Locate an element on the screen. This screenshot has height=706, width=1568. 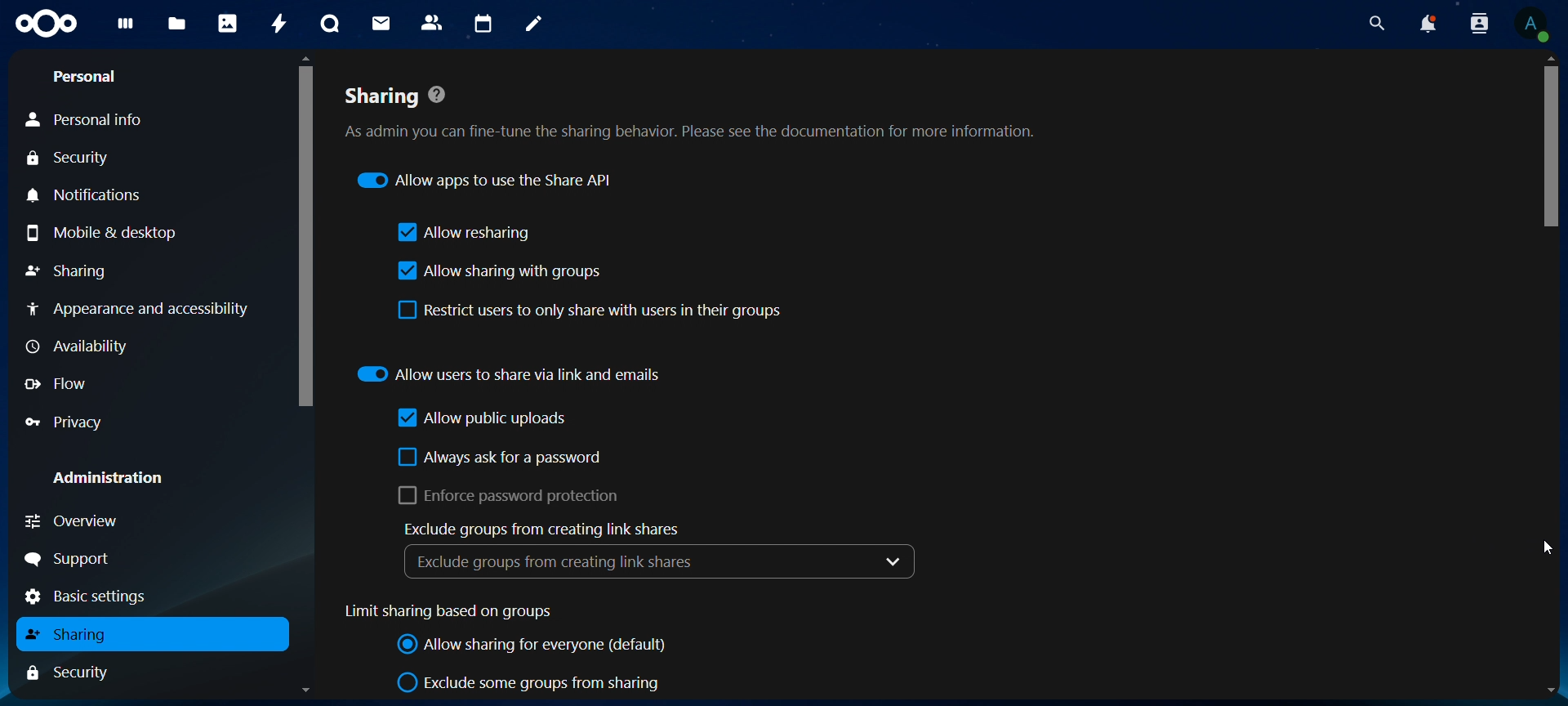
personal info is located at coordinates (90, 120).